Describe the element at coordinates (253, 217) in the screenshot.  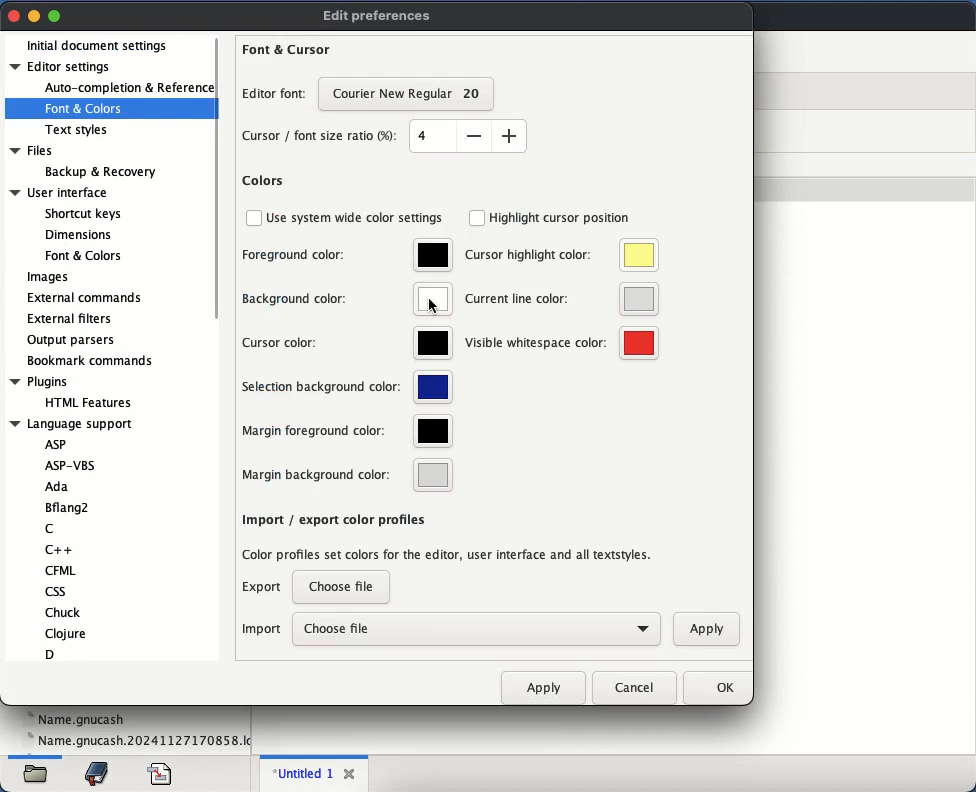
I see `checkbox` at that location.